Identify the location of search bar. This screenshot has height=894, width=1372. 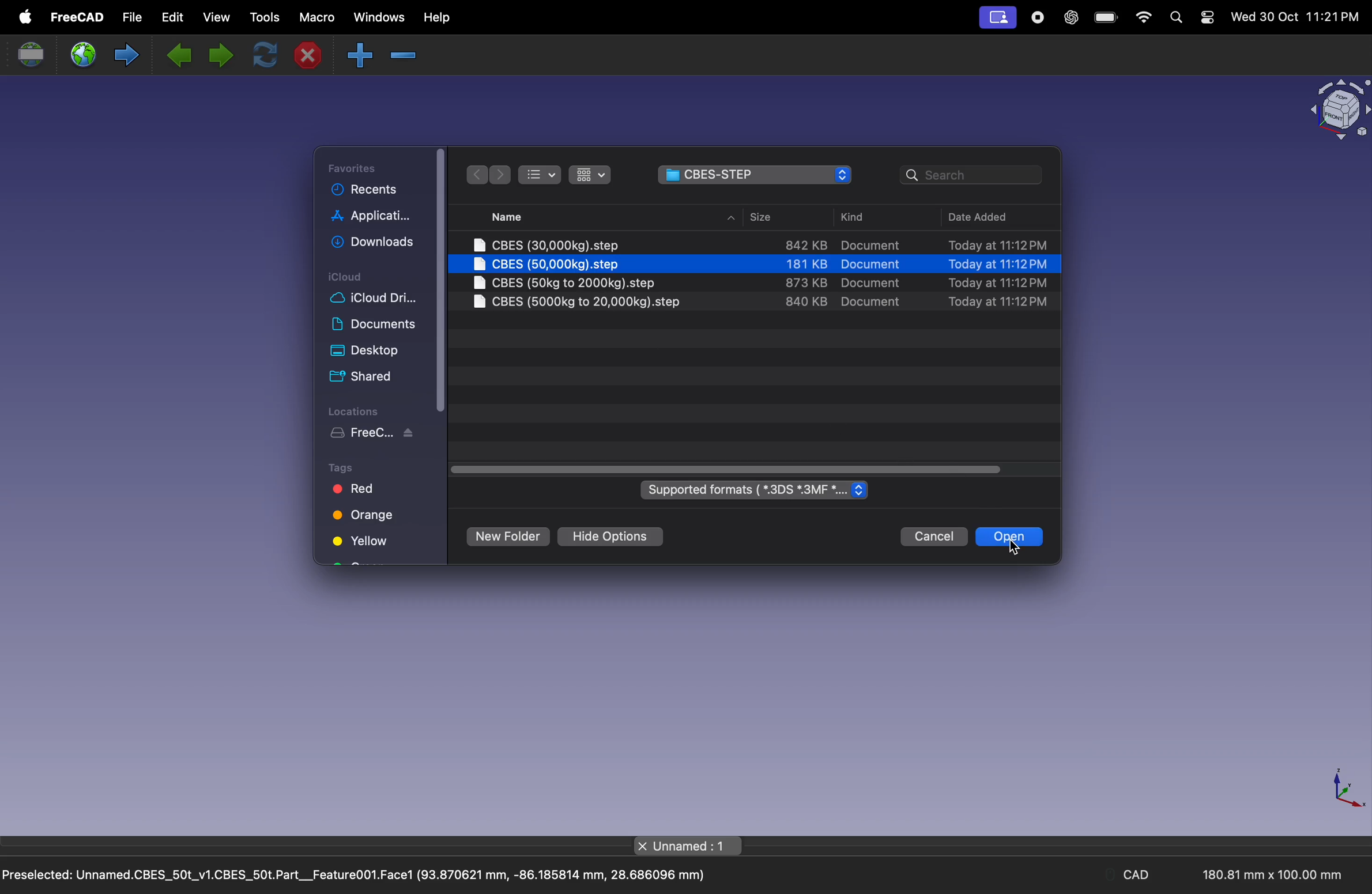
(967, 177).